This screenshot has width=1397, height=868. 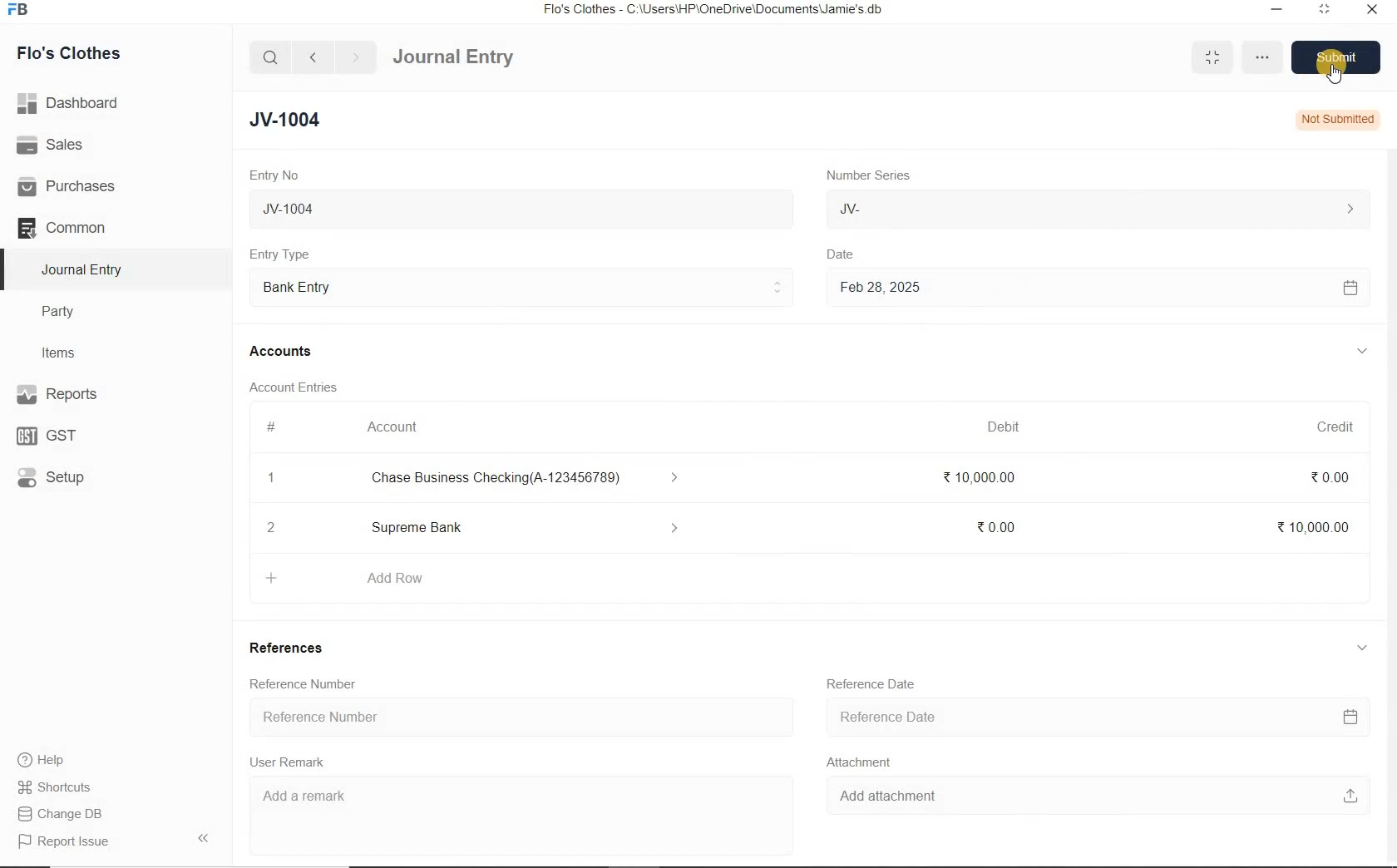 What do you see at coordinates (1210, 57) in the screenshot?
I see `minimise/maximise` at bounding box center [1210, 57].